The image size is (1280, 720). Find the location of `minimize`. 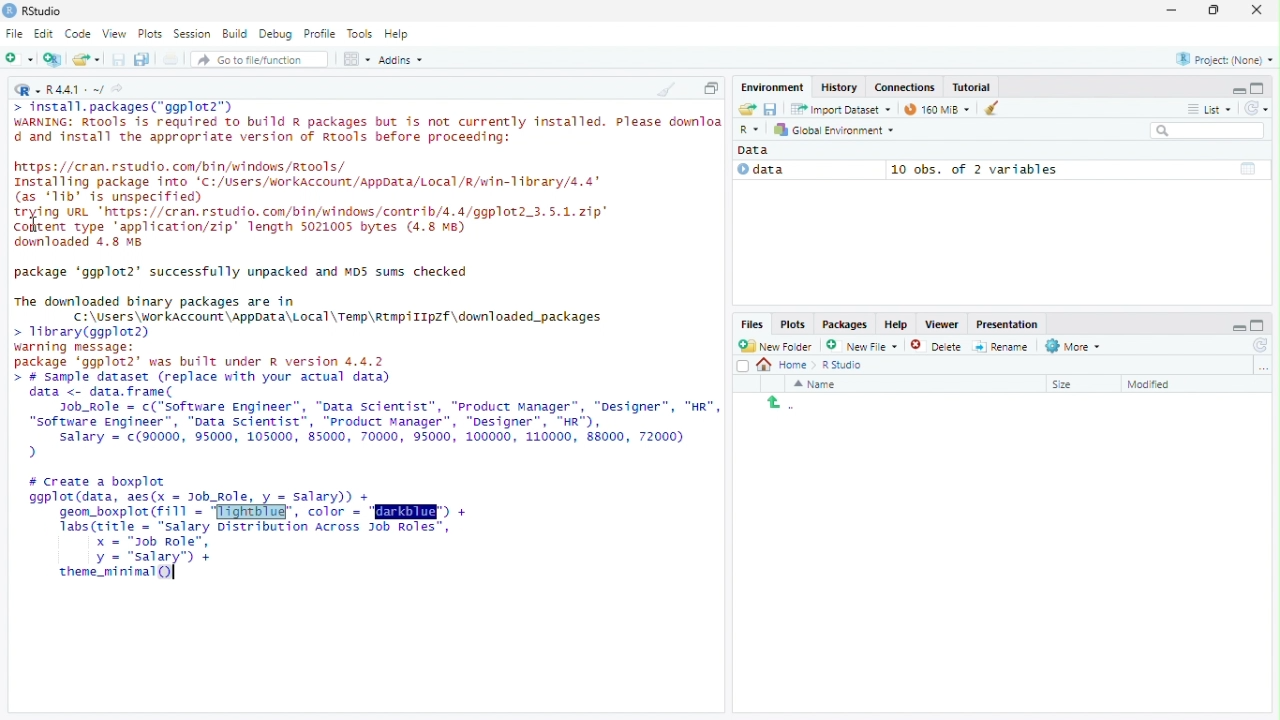

minimize is located at coordinates (1238, 89).